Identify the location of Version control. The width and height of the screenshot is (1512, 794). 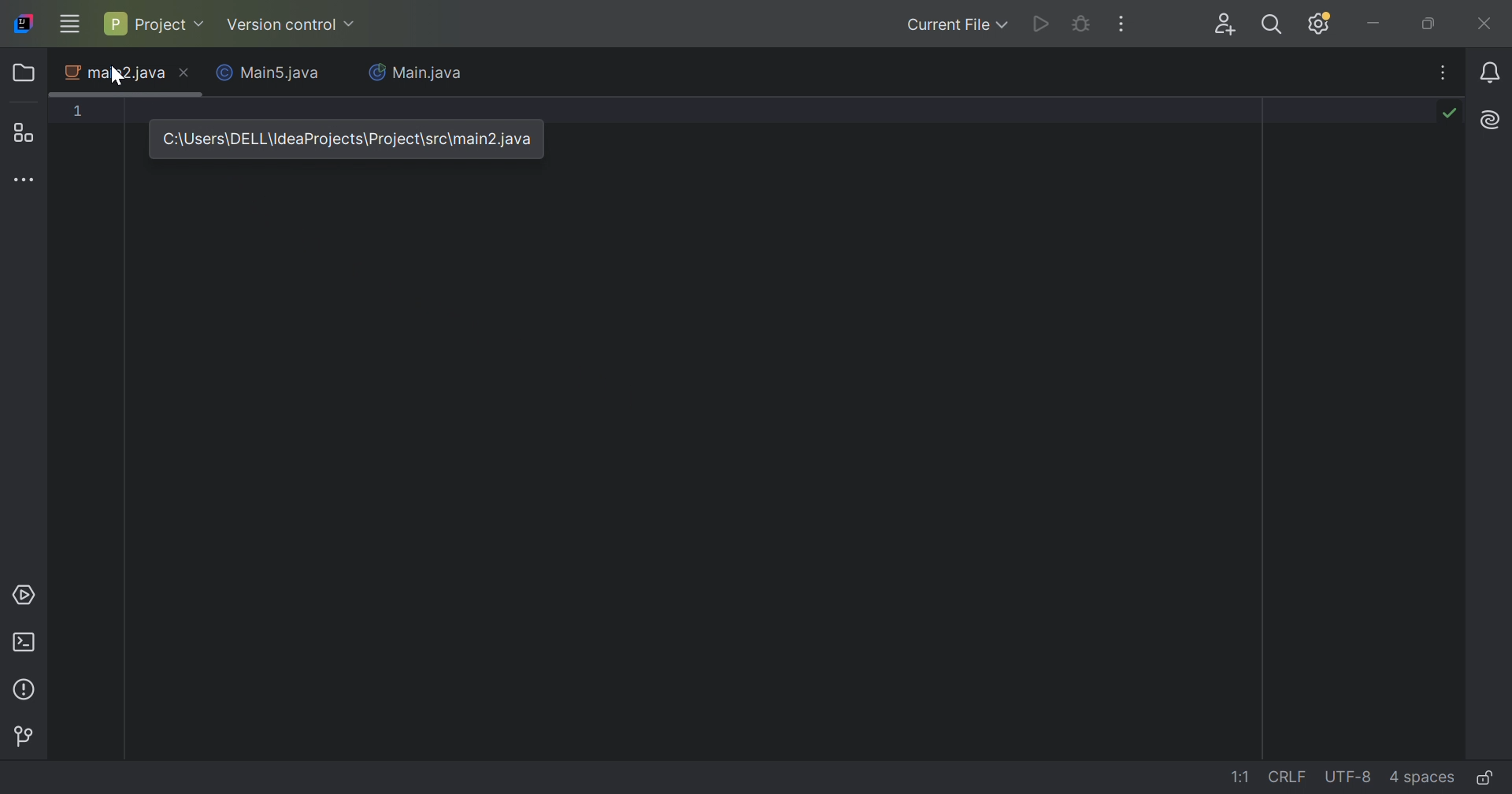
(292, 27).